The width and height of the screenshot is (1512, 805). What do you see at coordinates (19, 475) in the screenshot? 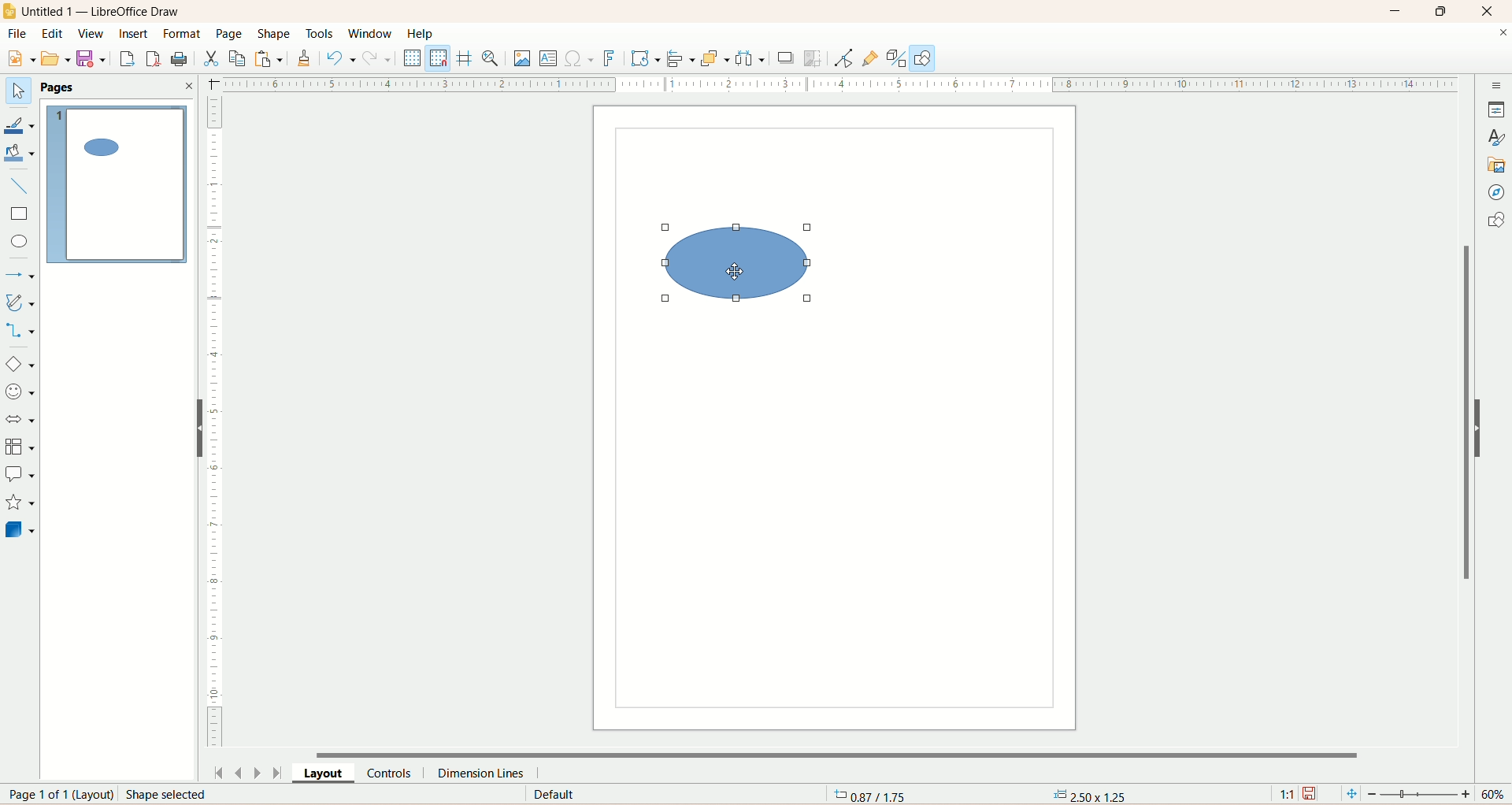
I see `callout` at bounding box center [19, 475].